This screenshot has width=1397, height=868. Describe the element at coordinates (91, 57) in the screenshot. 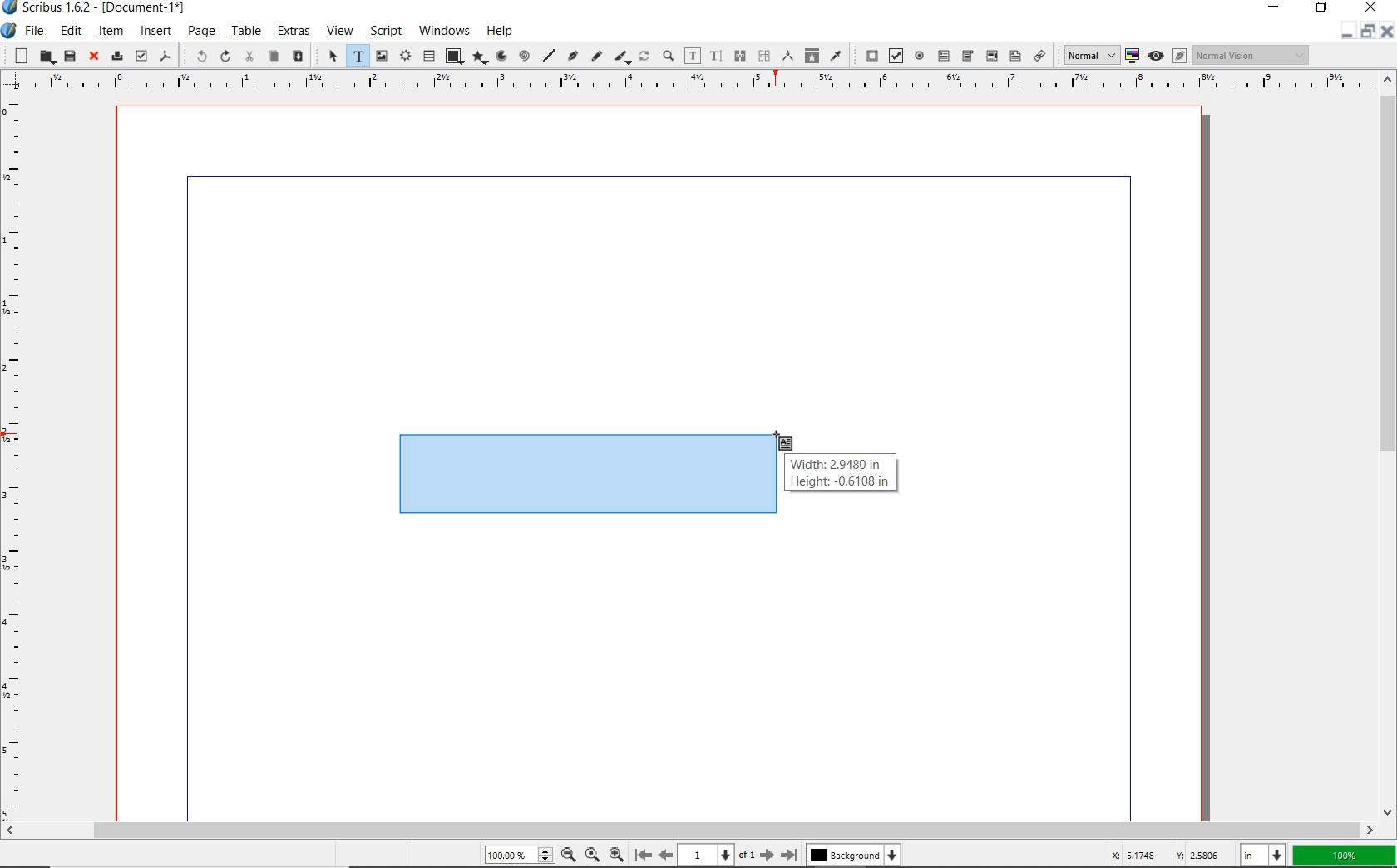

I see `close` at that location.